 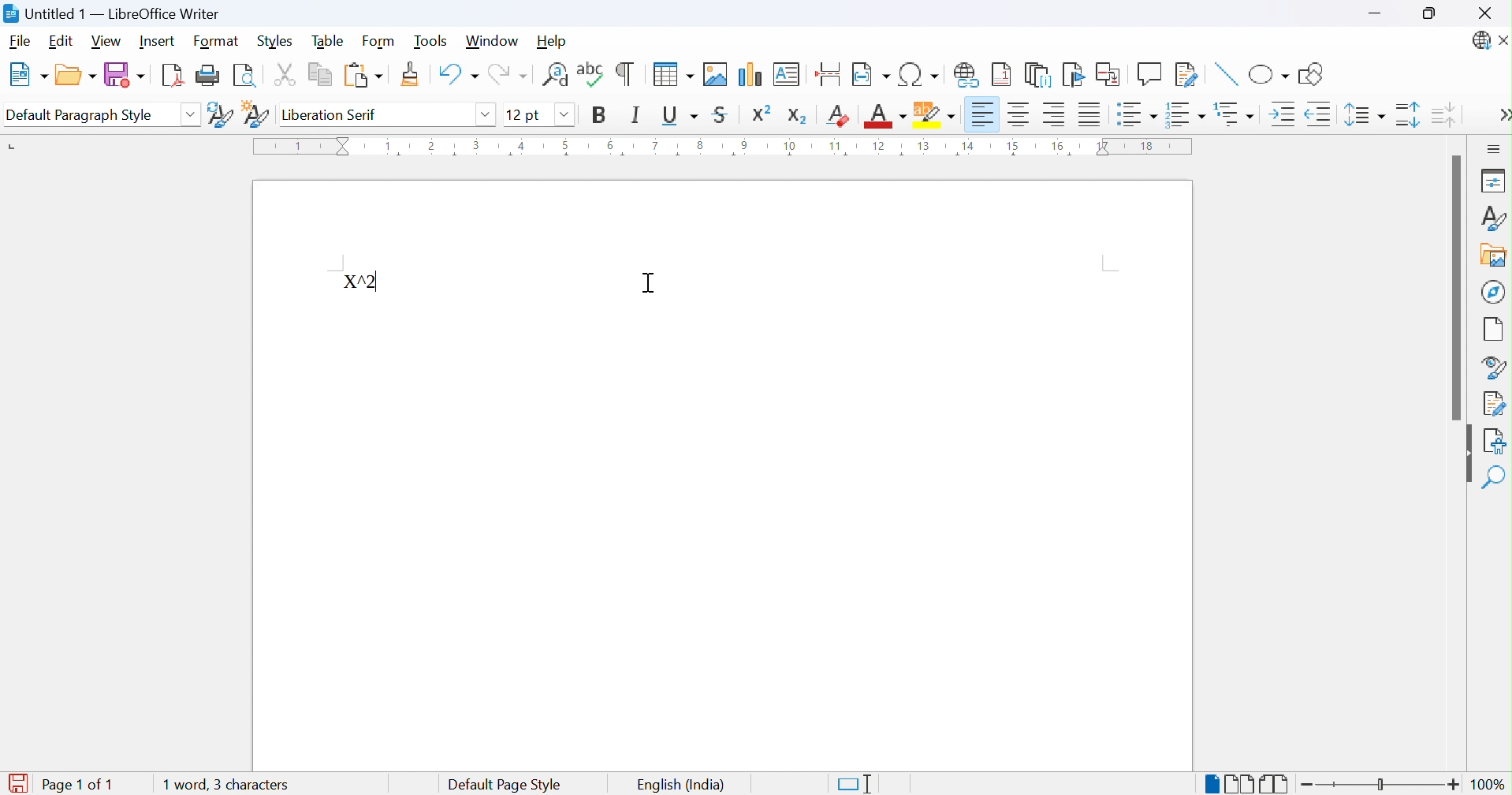 What do you see at coordinates (1151, 73) in the screenshot?
I see `Insert comment` at bounding box center [1151, 73].